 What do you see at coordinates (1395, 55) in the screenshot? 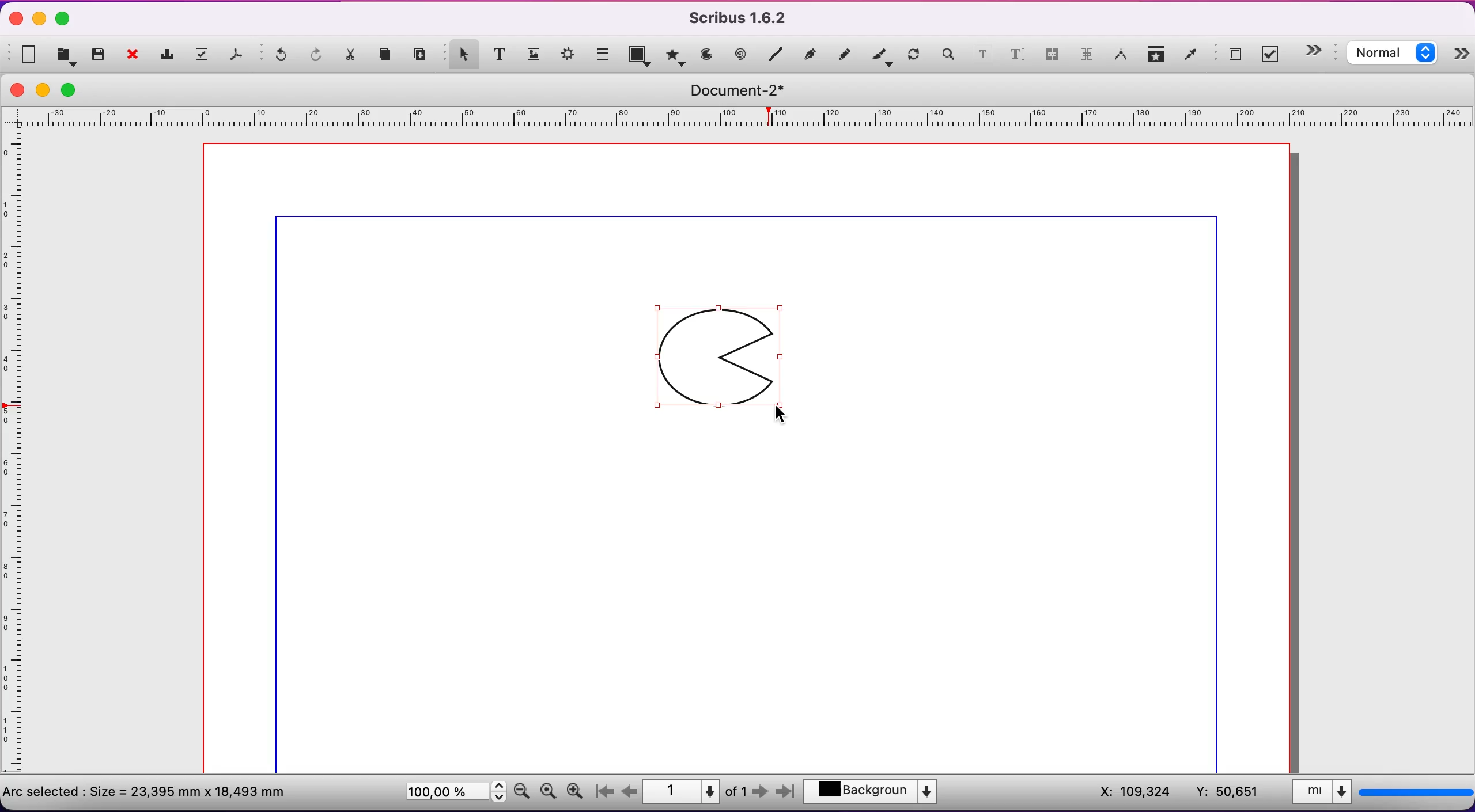
I see `select image preview quality` at bounding box center [1395, 55].